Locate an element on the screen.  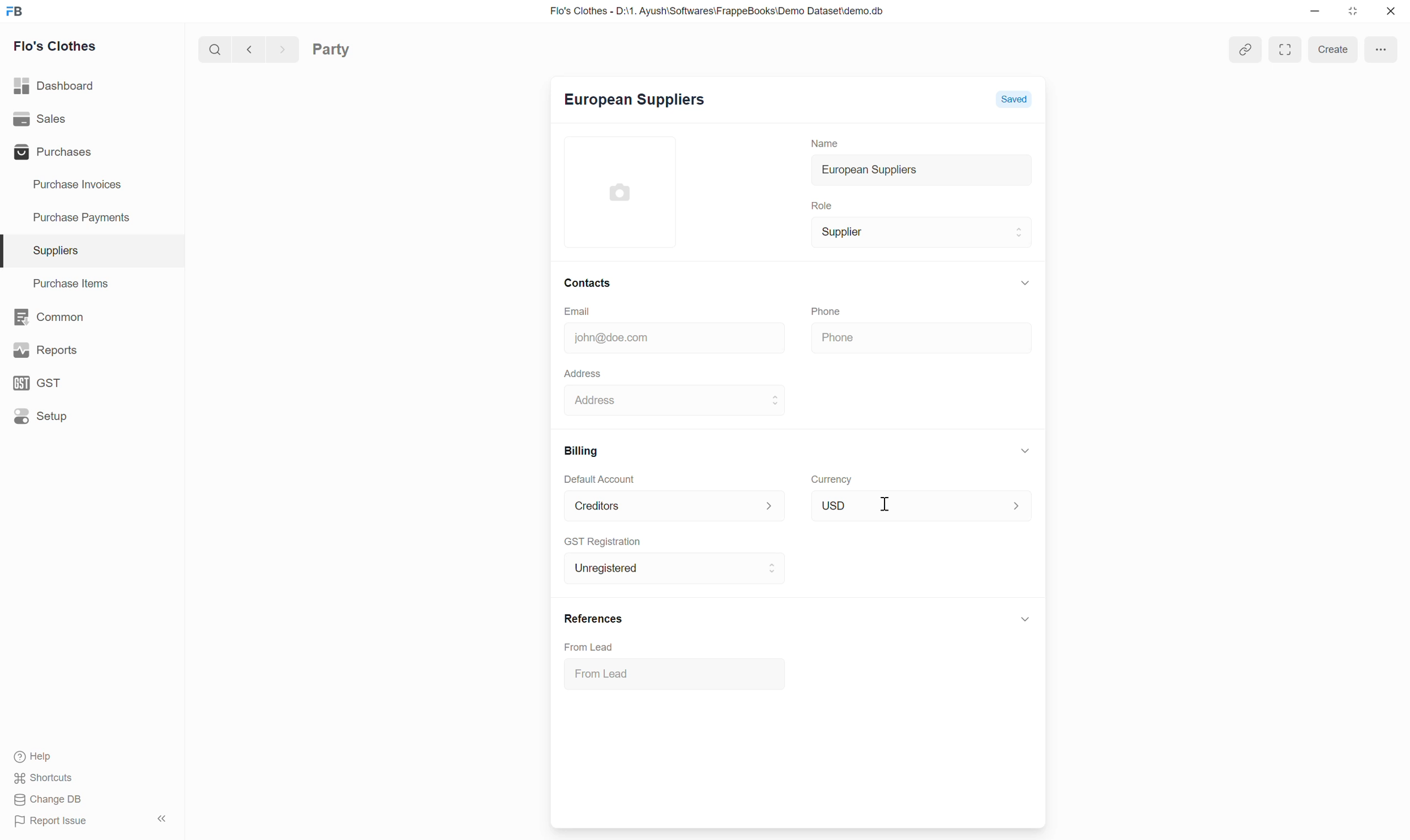
Report Issue is located at coordinates (56, 820).